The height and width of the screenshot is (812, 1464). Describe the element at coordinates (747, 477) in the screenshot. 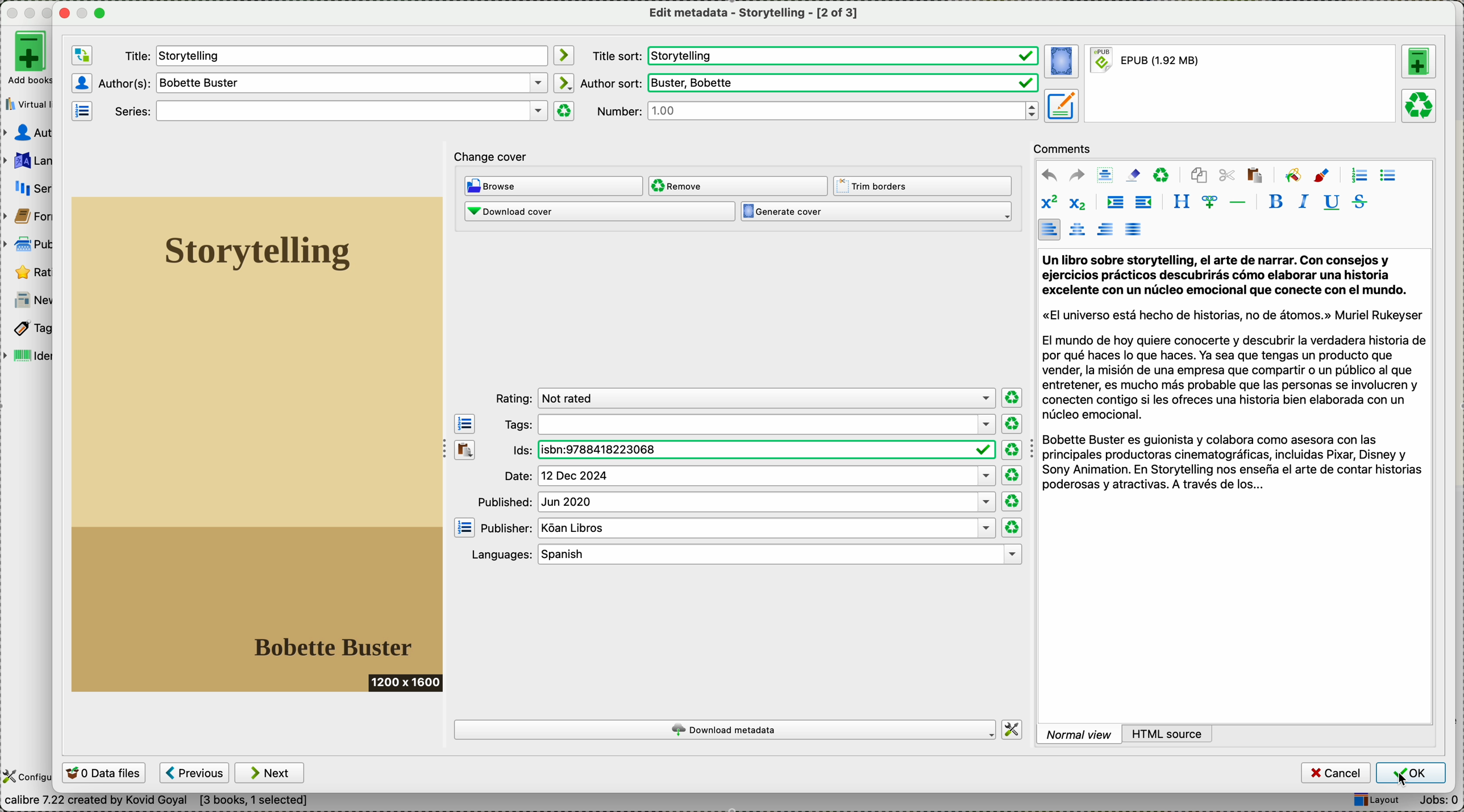

I see `date` at that location.